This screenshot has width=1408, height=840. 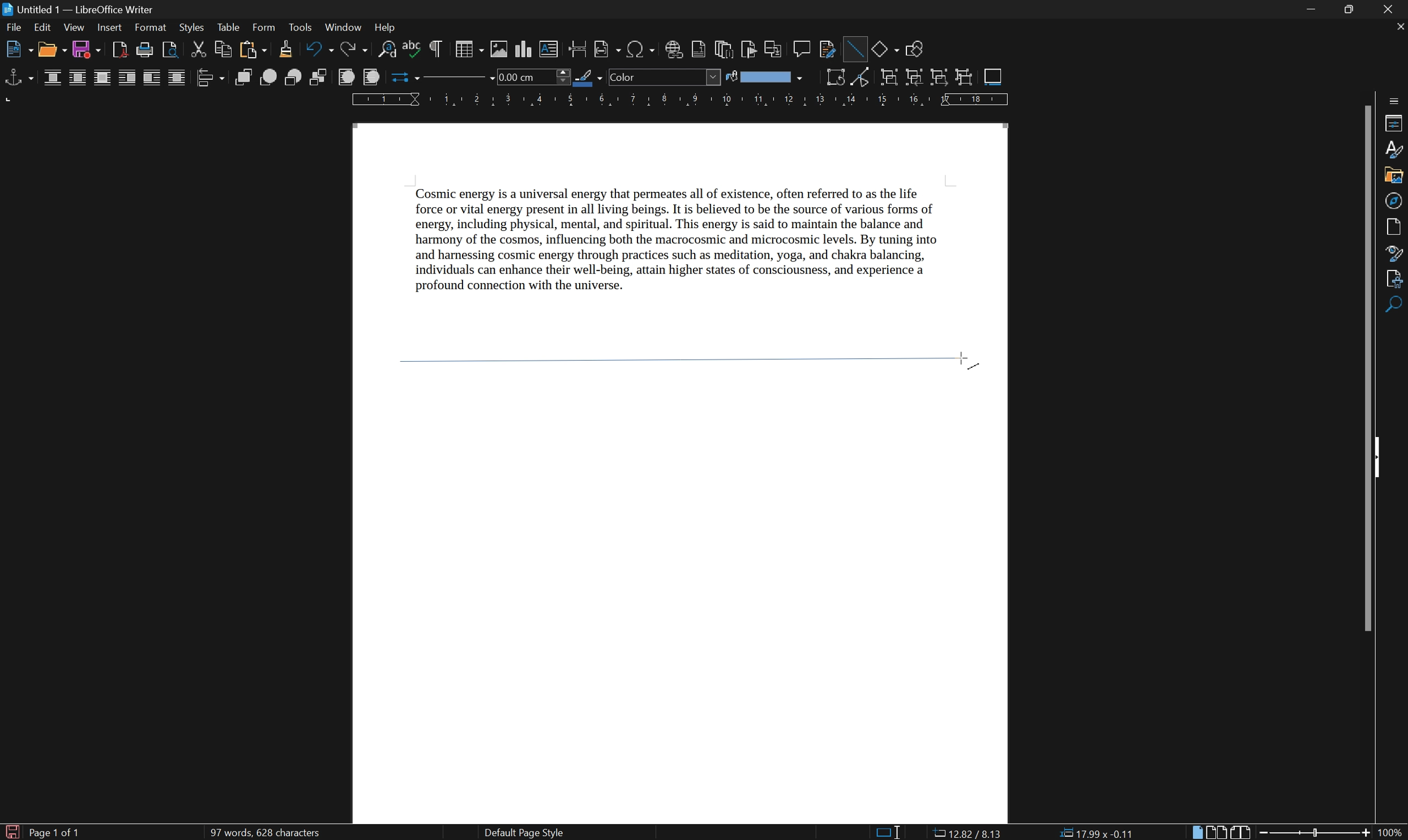 I want to click on insert line, so click(x=854, y=47).